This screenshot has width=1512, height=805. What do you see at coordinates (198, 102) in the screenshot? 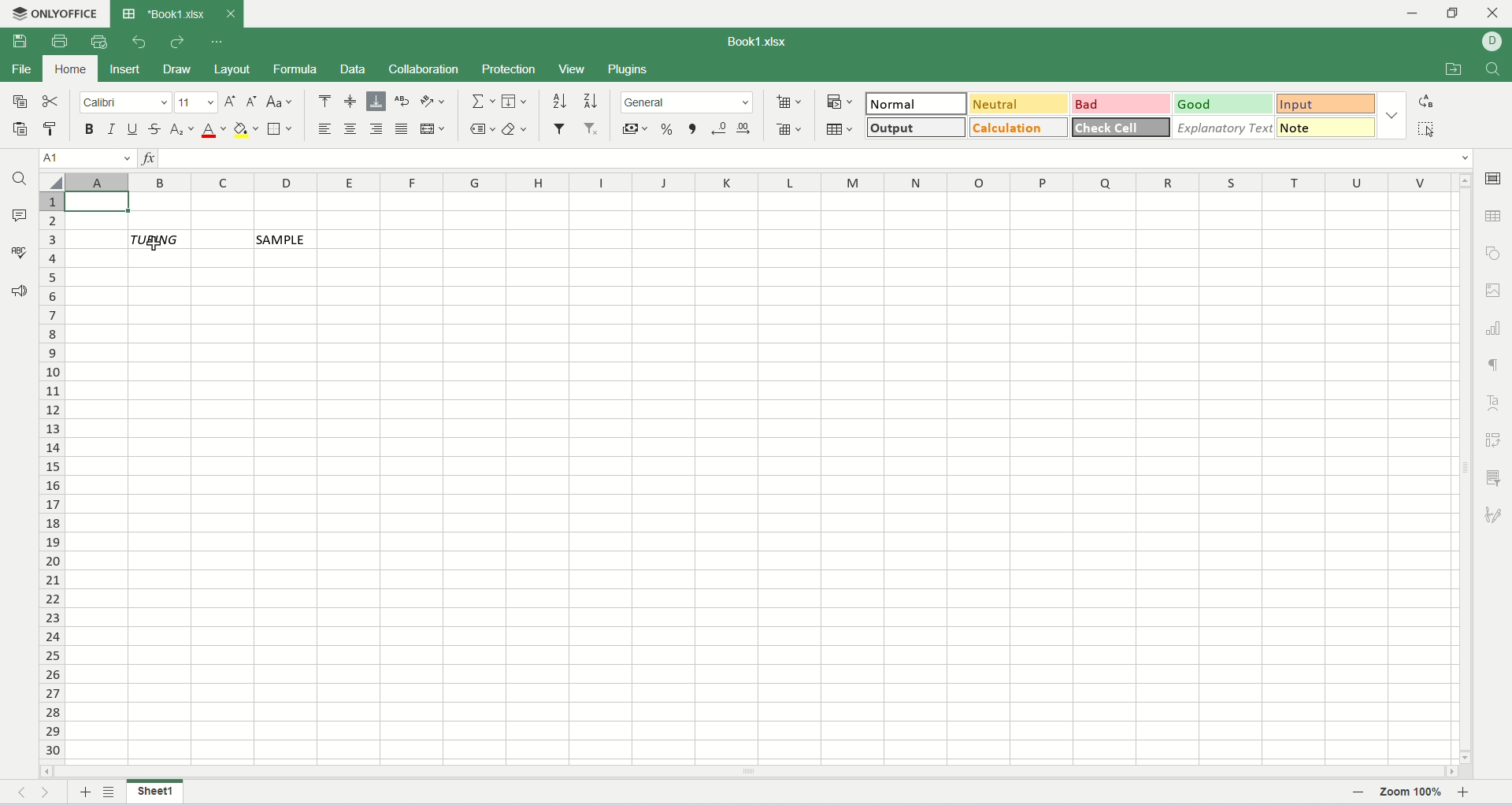
I see `font size` at bounding box center [198, 102].